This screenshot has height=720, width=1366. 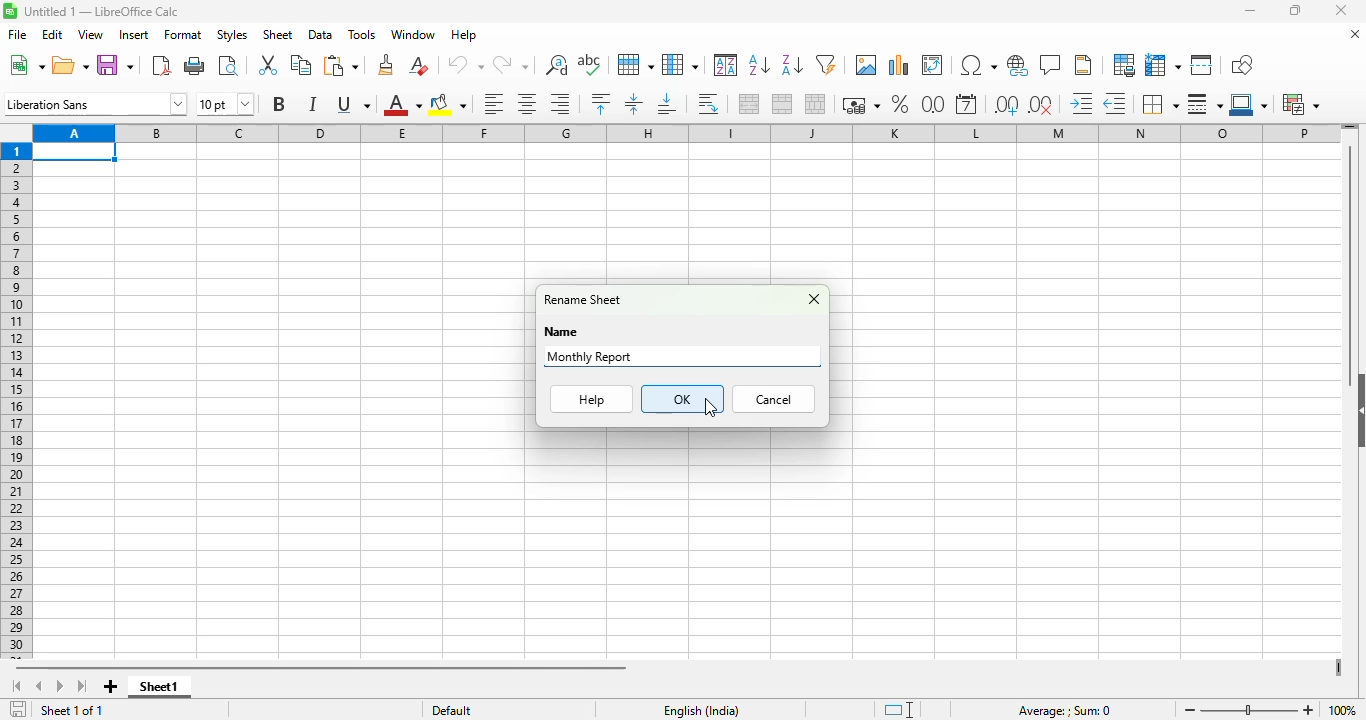 What do you see at coordinates (668, 104) in the screenshot?
I see `align bottom` at bounding box center [668, 104].